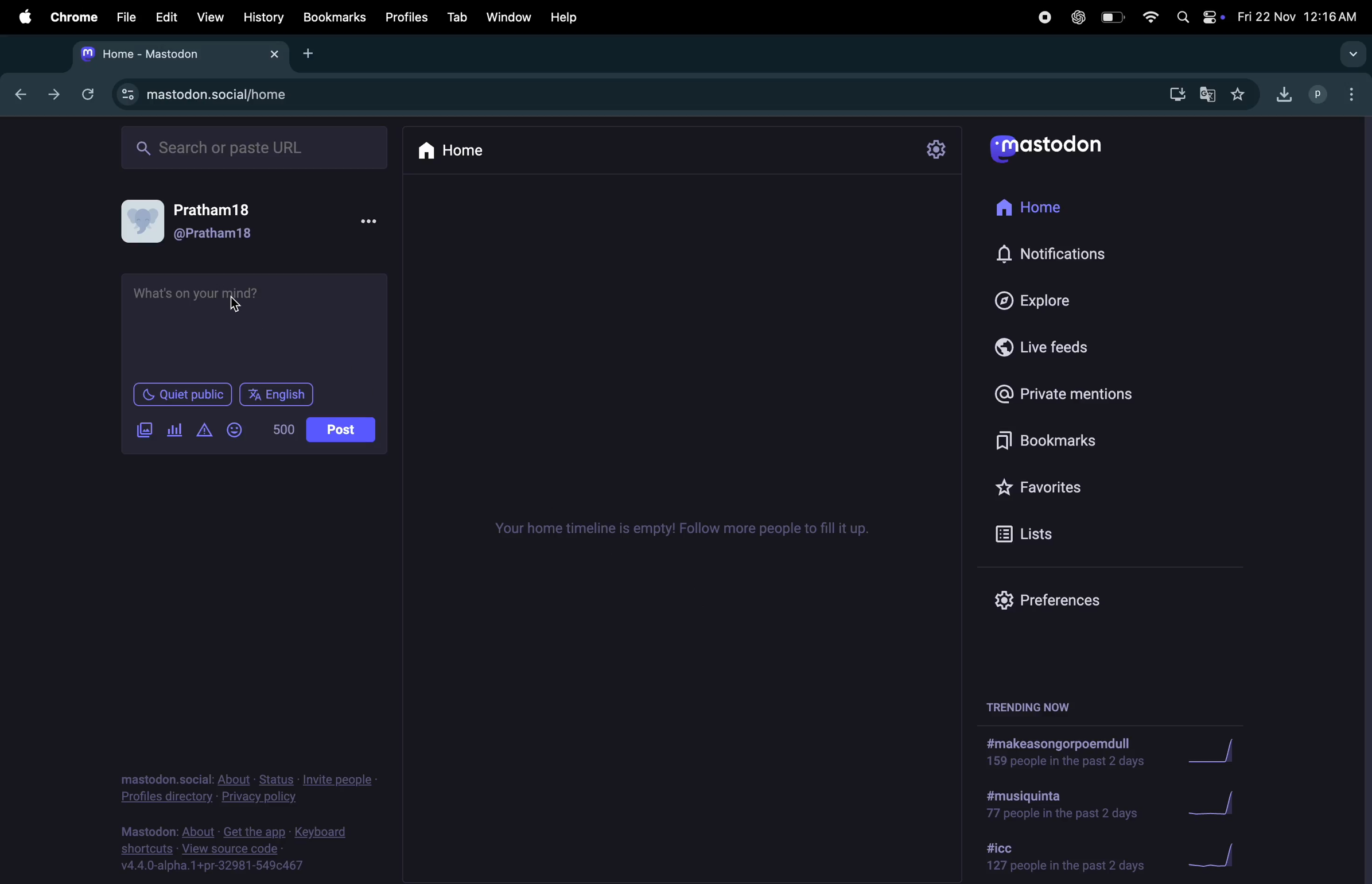 The image size is (1372, 884). What do you see at coordinates (567, 15) in the screenshot?
I see `help` at bounding box center [567, 15].